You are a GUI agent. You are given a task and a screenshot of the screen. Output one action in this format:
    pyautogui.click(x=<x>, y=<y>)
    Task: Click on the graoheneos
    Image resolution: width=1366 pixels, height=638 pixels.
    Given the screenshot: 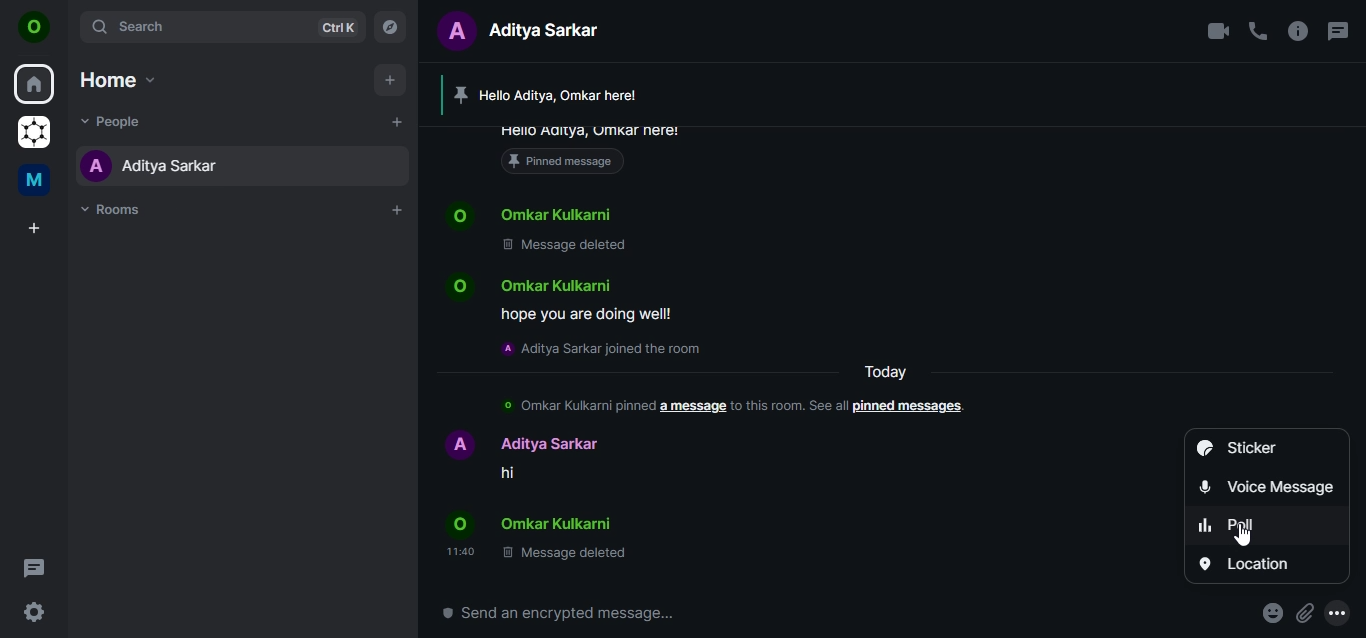 What is the action you would take?
    pyautogui.click(x=34, y=134)
    